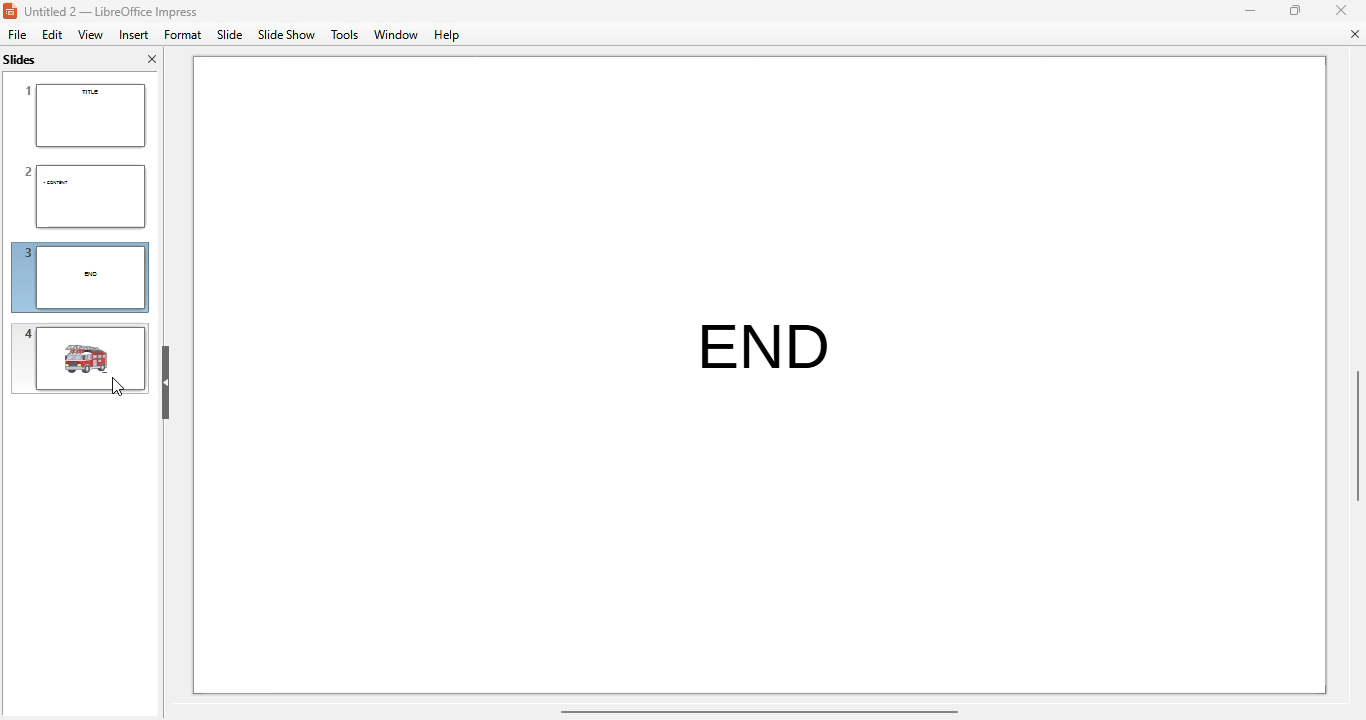  I want to click on end, so click(772, 328).